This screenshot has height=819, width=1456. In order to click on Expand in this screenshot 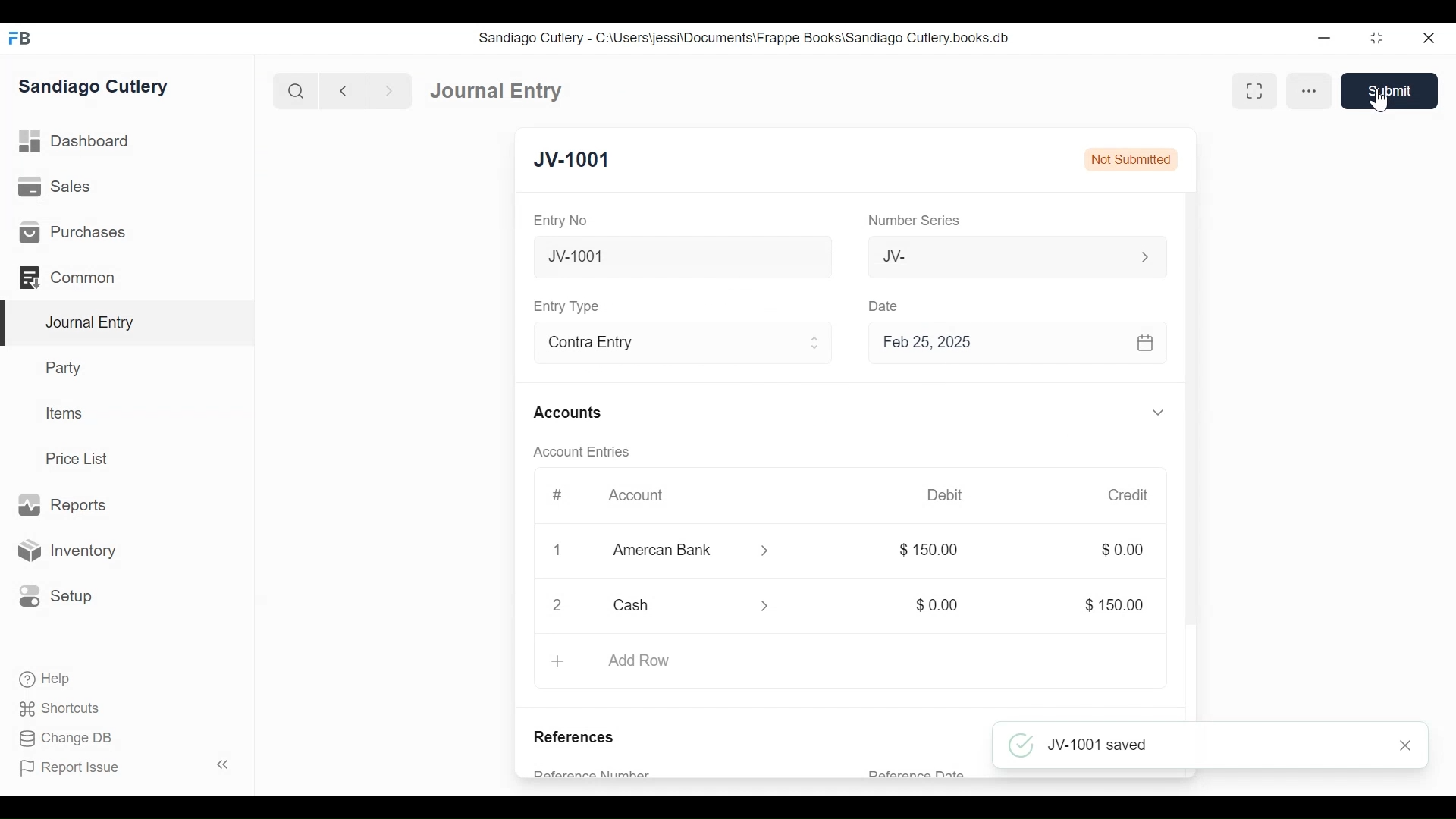, I will do `click(1158, 682)`.